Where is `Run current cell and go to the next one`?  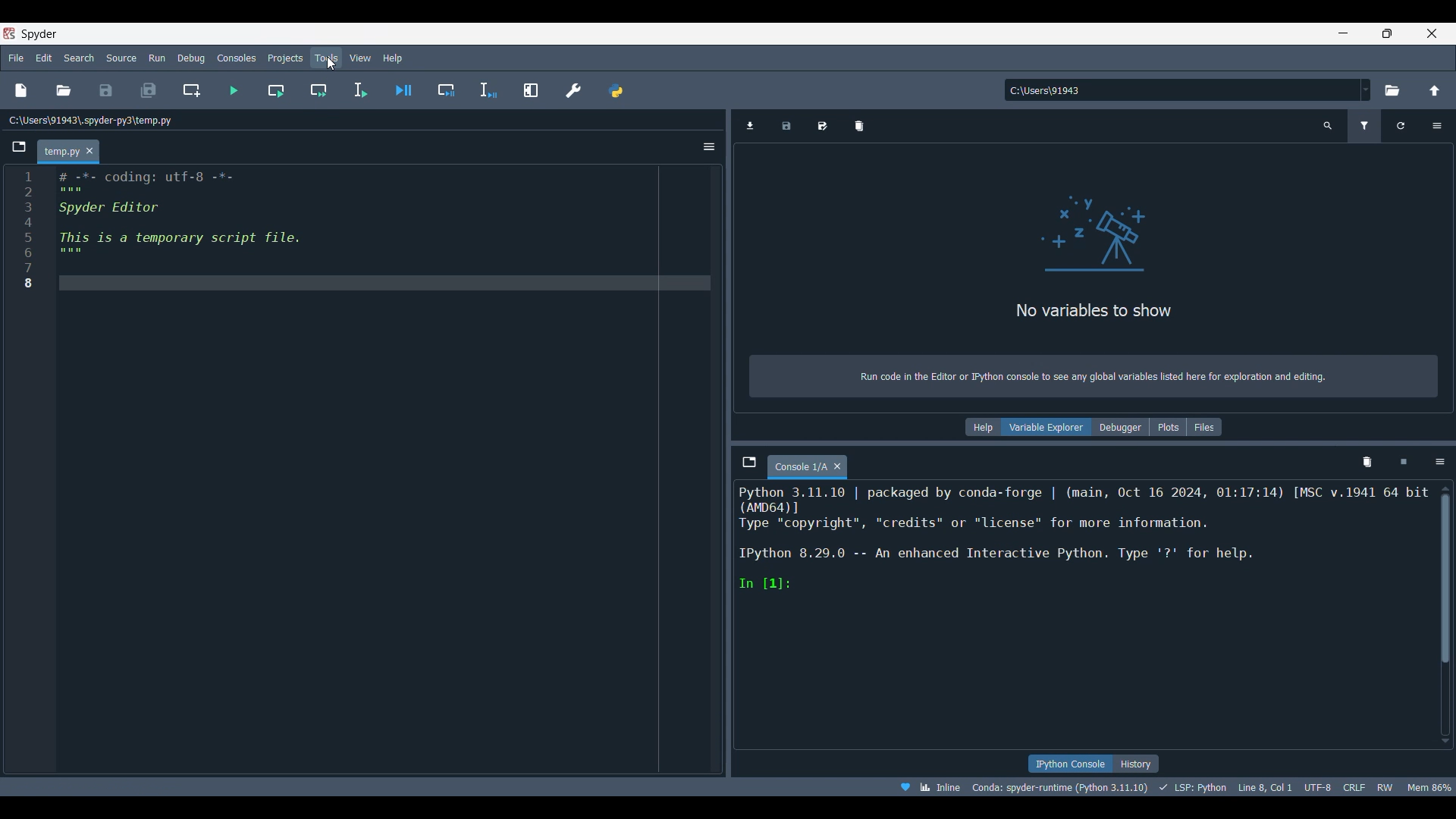
Run current cell and go to the next one is located at coordinates (318, 90).